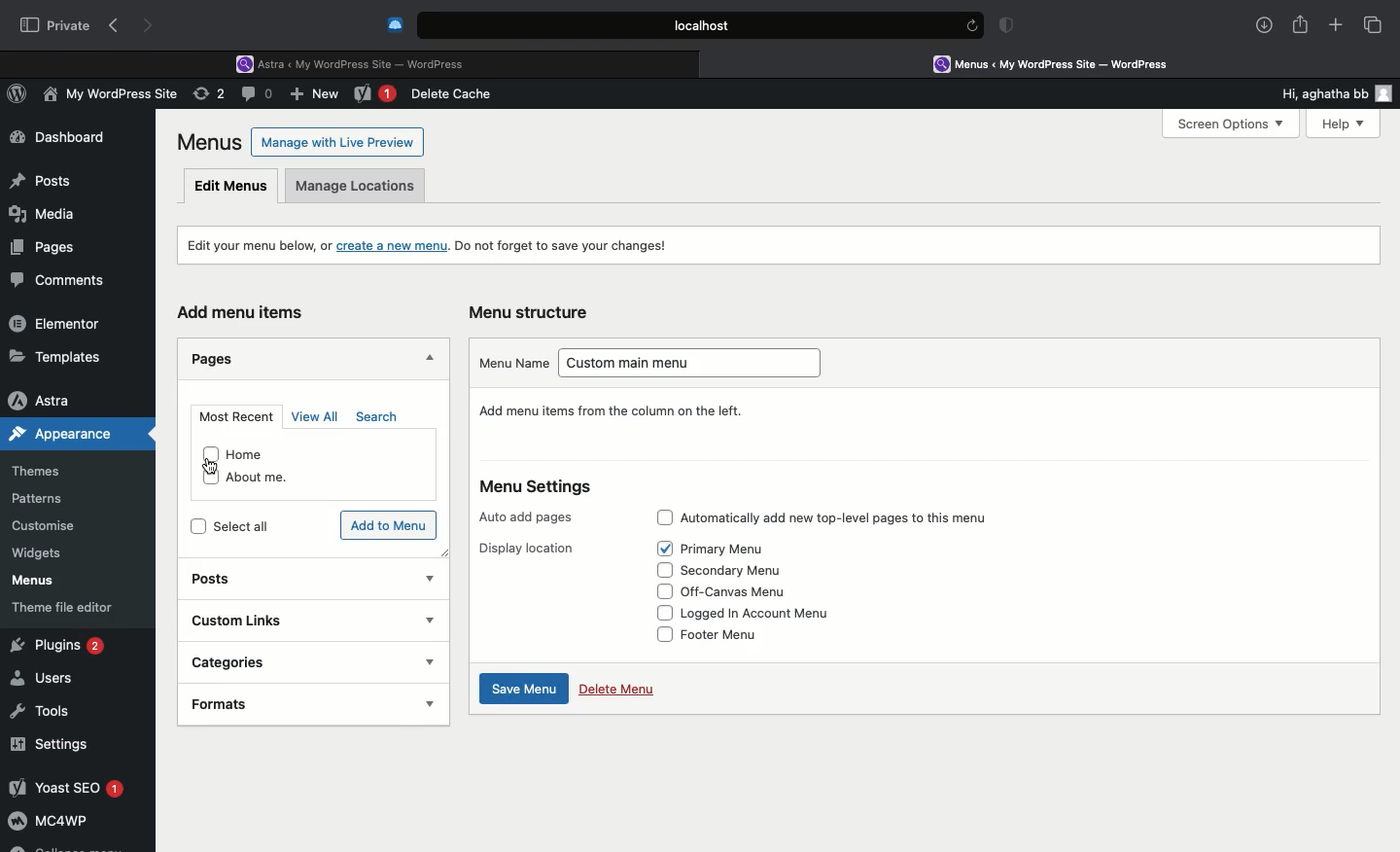  I want to click on Delete cache, so click(455, 94).